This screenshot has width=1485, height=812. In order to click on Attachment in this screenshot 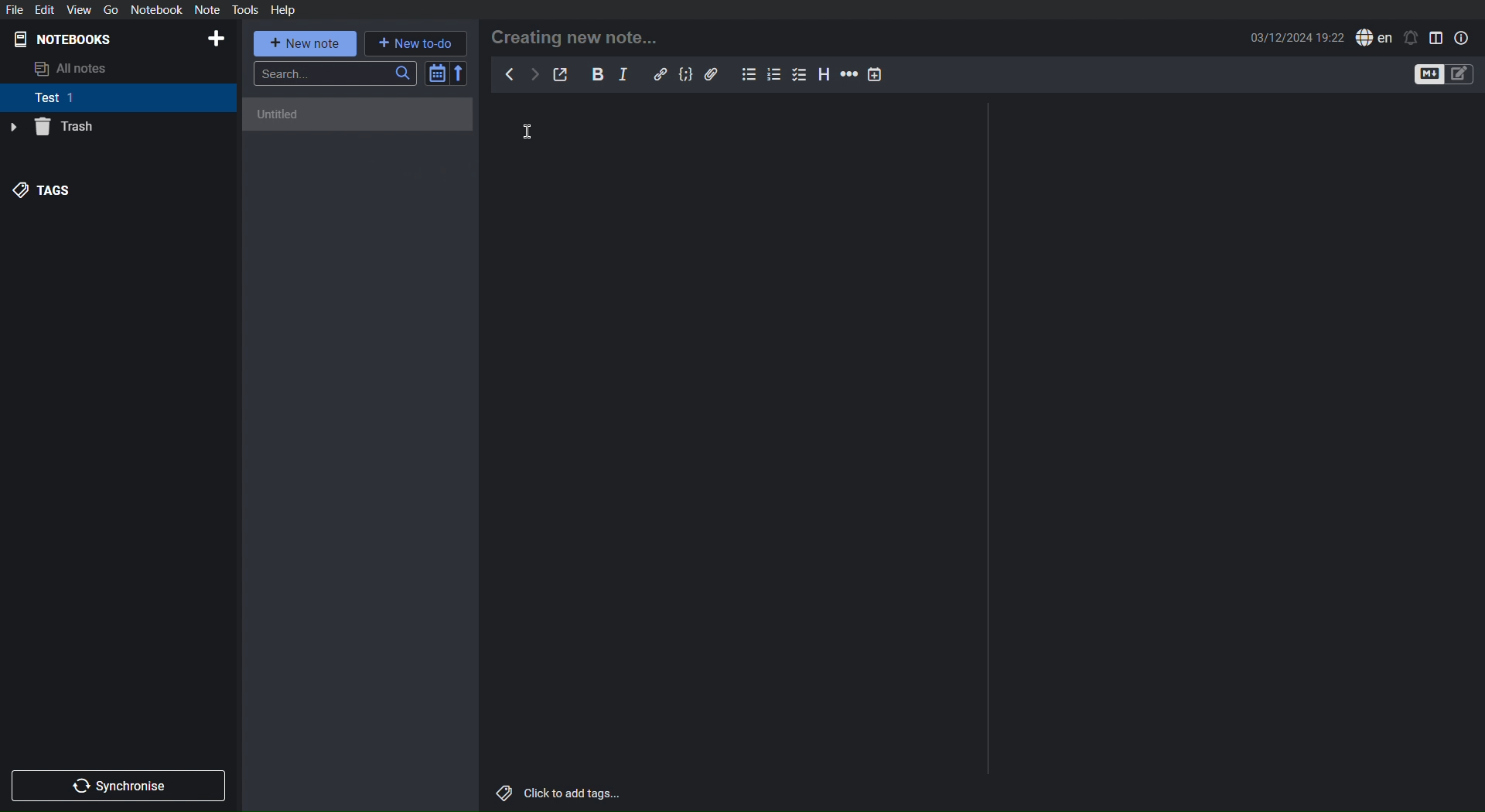, I will do `click(711, 73)`.